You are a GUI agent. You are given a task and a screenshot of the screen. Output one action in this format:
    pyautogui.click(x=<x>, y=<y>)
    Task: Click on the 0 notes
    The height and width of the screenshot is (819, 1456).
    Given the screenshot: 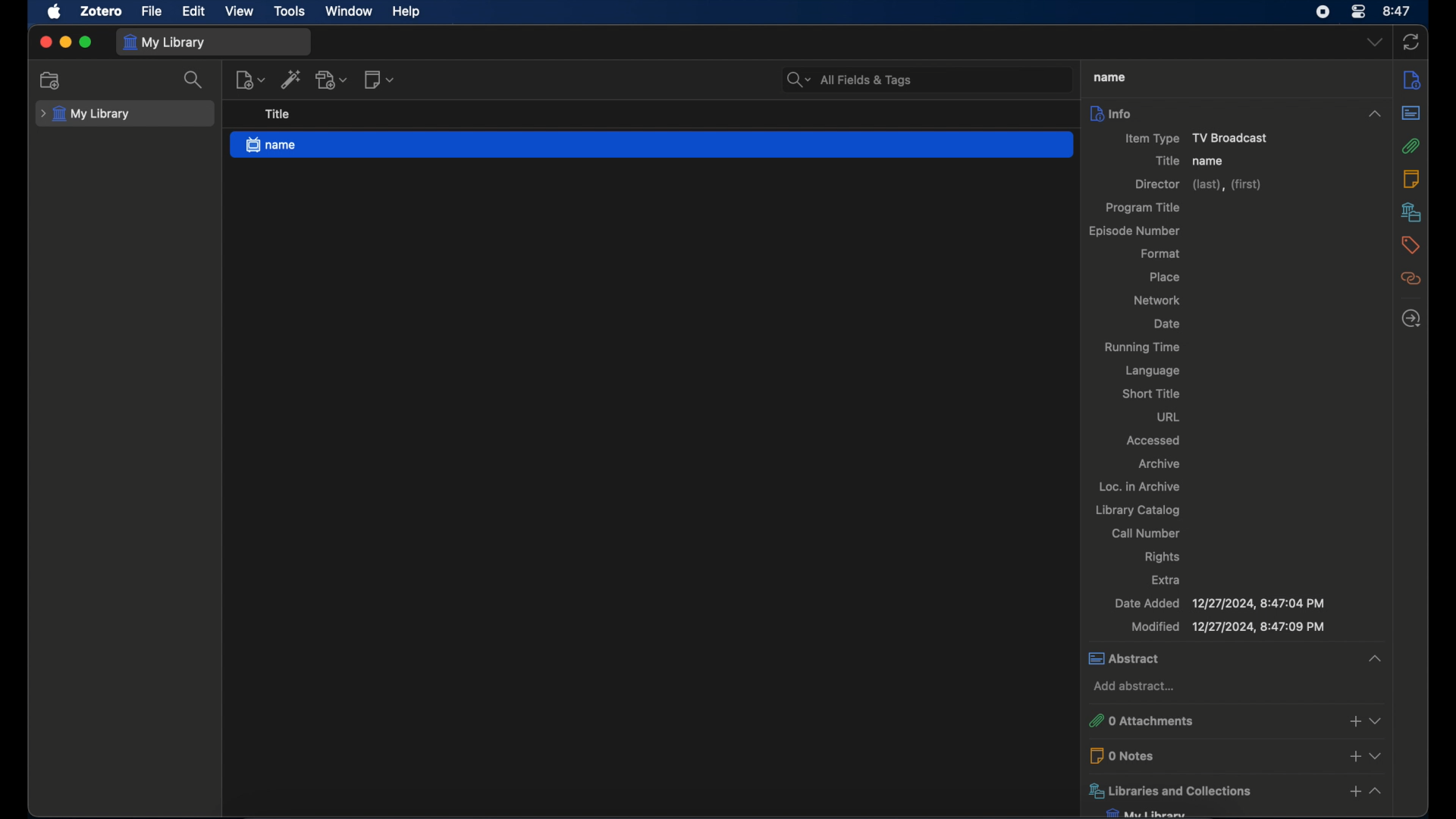 What is the action you would take?
    pyautogui.click(x=1210, y=755)
    